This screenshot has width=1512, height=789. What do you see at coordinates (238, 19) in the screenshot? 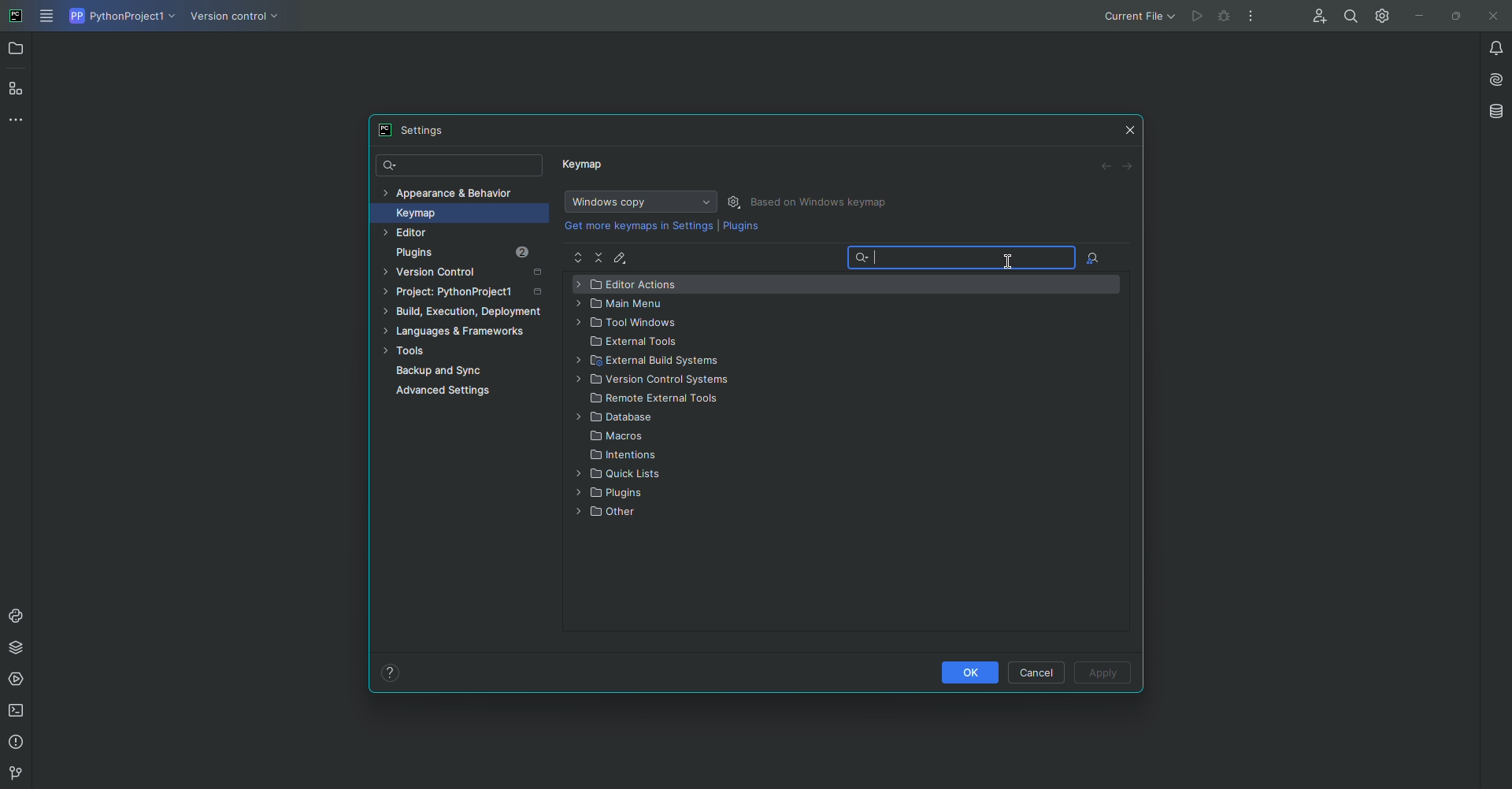
I see `Version COntrol` at bounding box center [238, 19].